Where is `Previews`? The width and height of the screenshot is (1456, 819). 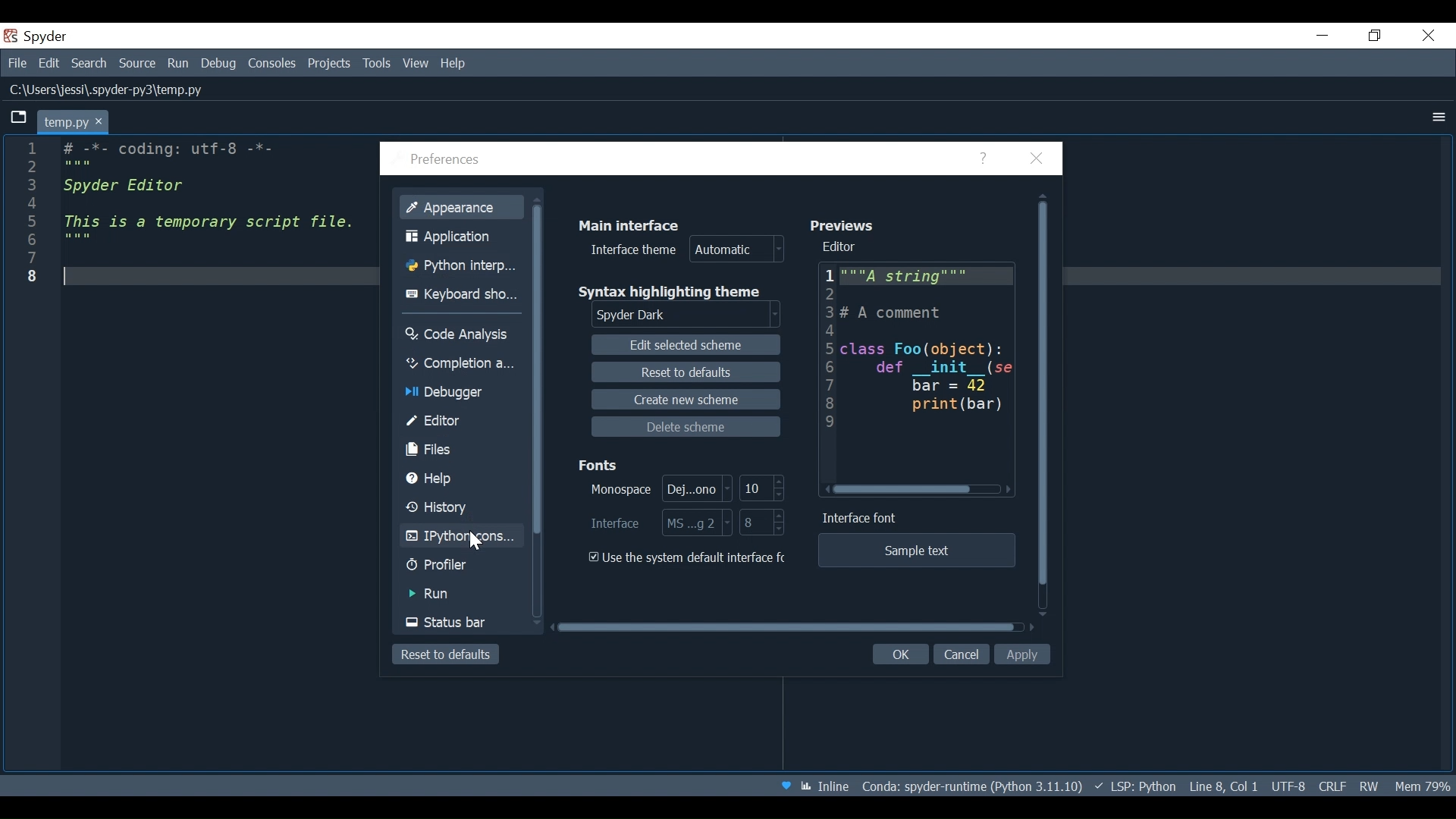 Previews is located at coordinates (842, 225).